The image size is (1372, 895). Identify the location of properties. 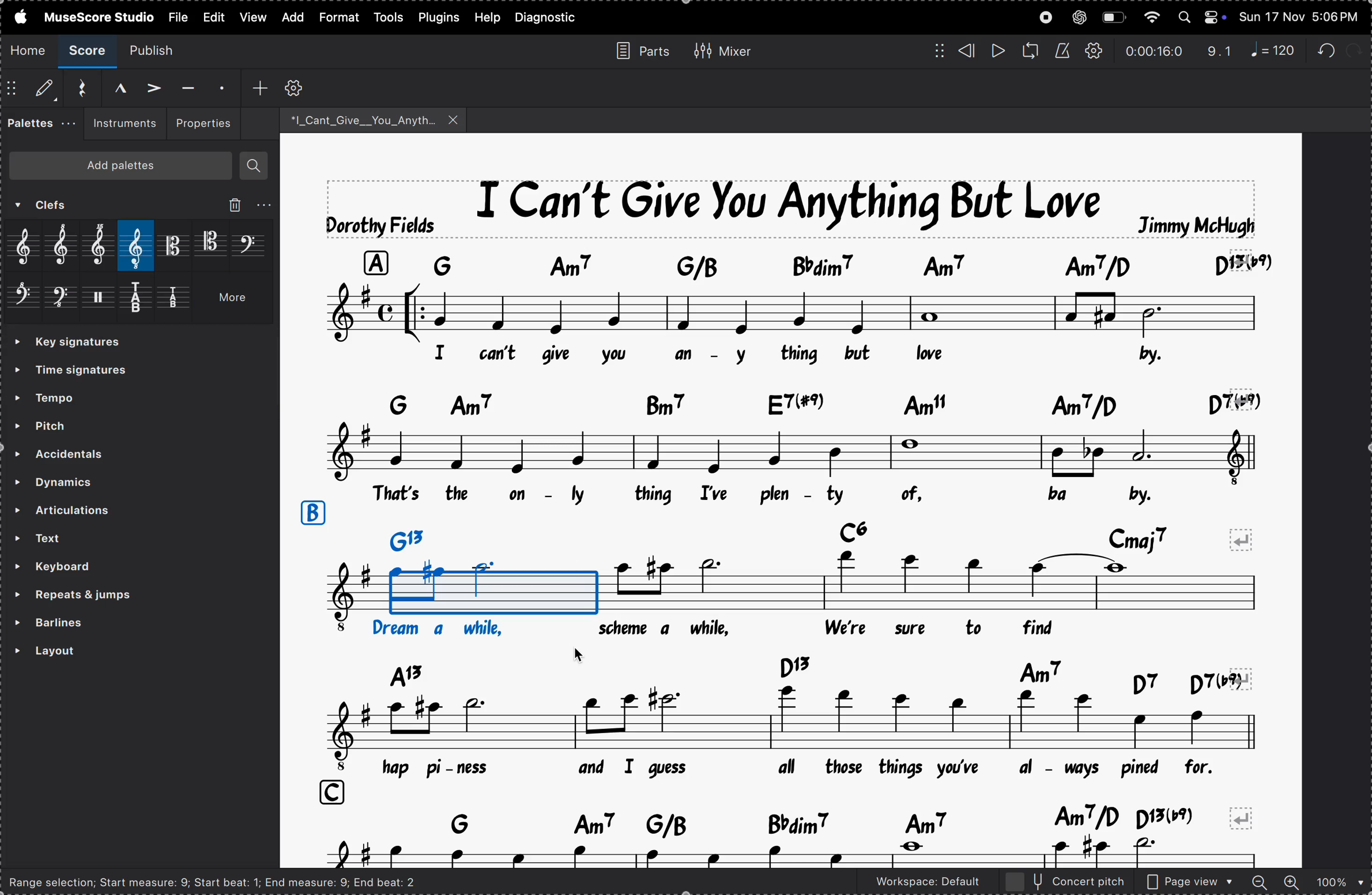
(202, 122).